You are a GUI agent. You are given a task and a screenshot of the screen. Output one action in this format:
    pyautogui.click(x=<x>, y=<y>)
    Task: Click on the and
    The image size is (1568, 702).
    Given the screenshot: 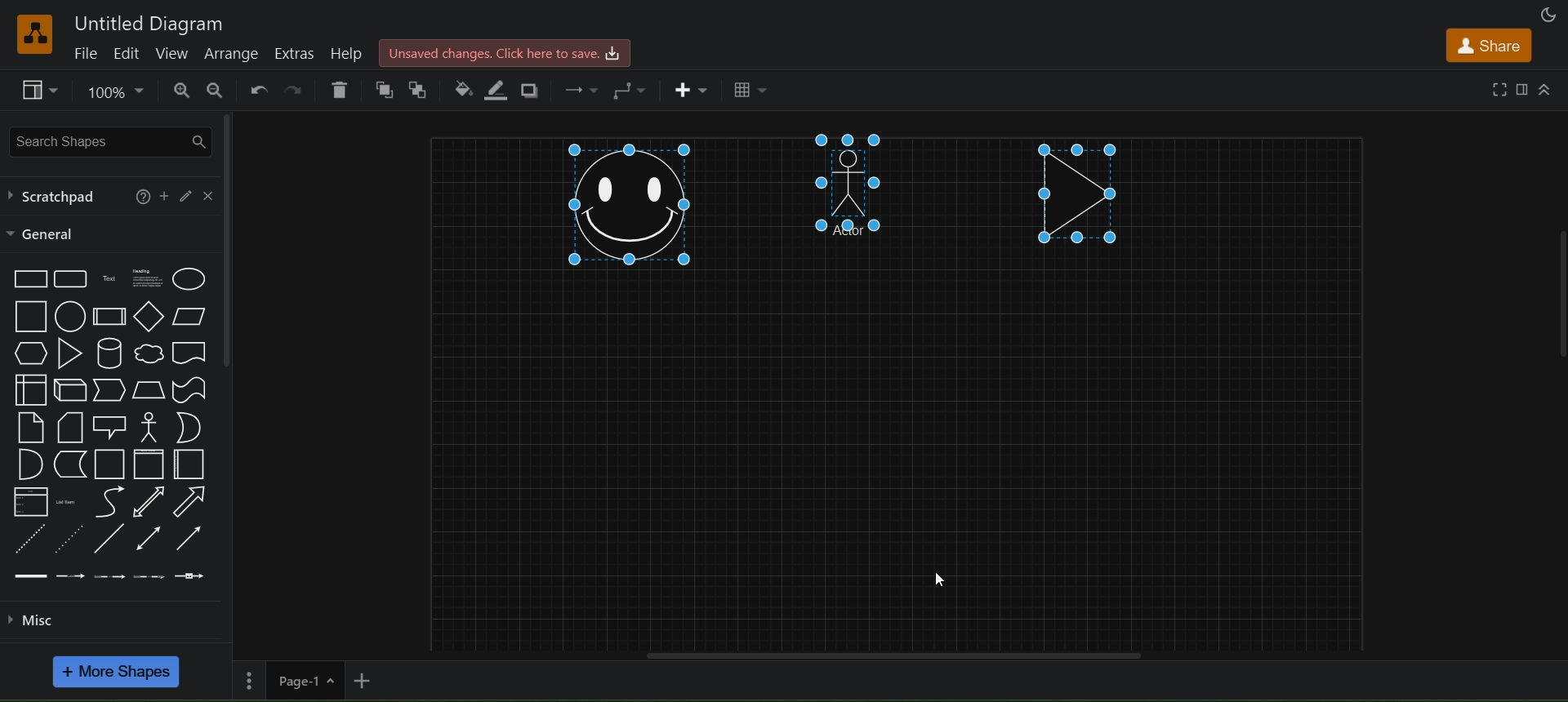 What is the action you would take?
    pyautogui.click(x=28, y=464)
    